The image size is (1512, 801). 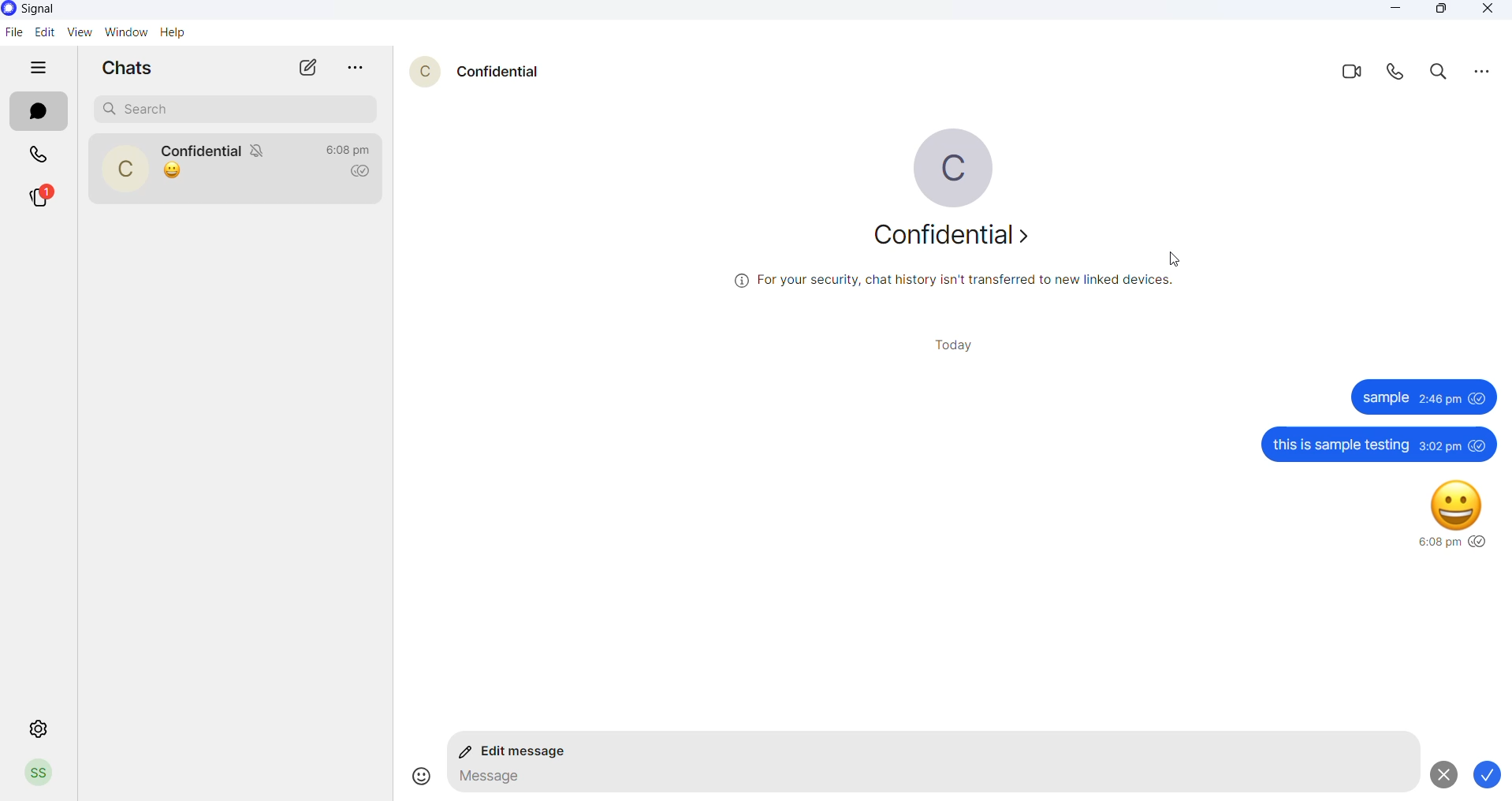 I want to click on more options, so click(x=1482, y=72).